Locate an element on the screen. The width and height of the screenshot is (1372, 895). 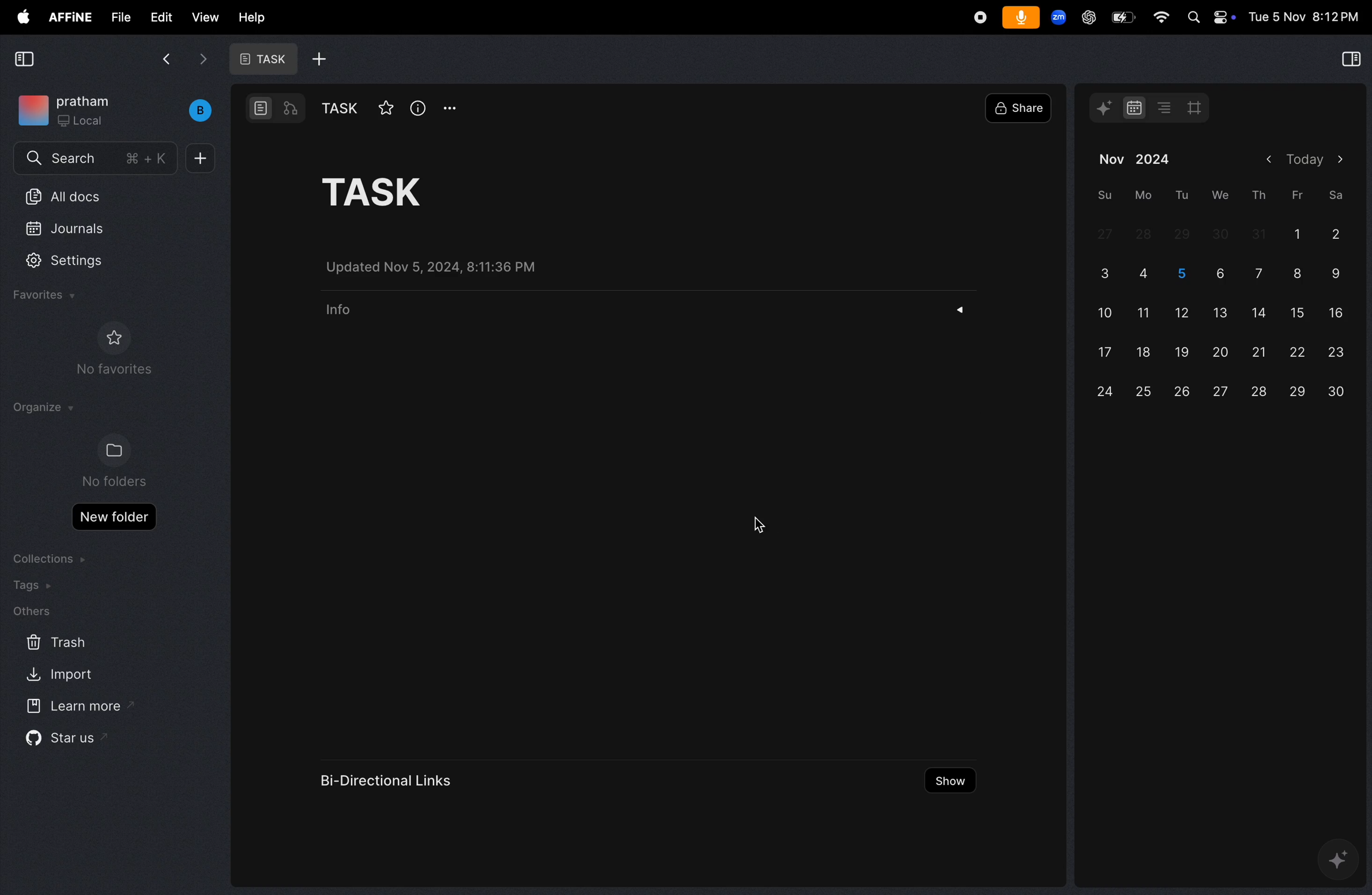
all docs is located at coordinates (97, 195).